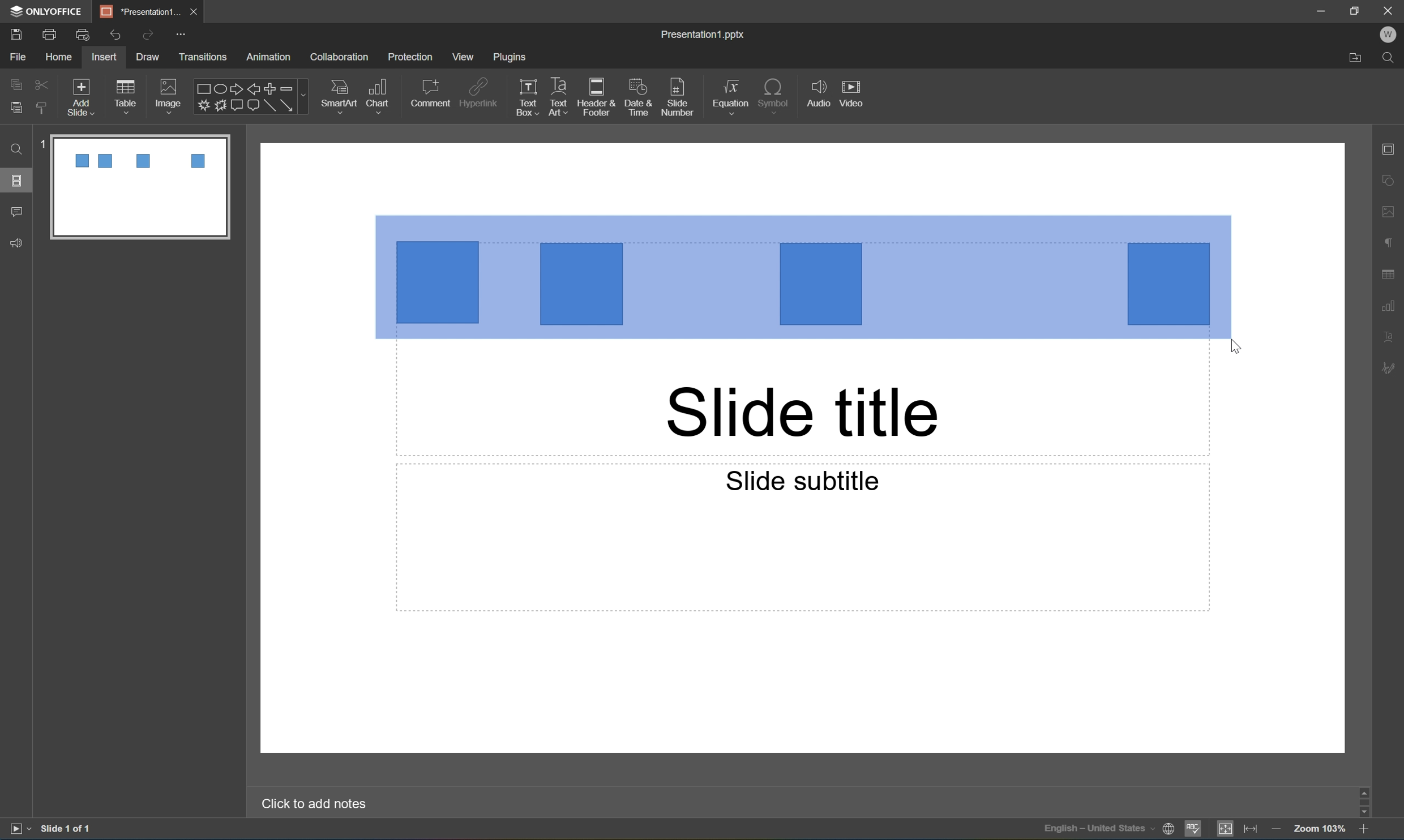  I want to click on zoom in, so click(1363, 832).